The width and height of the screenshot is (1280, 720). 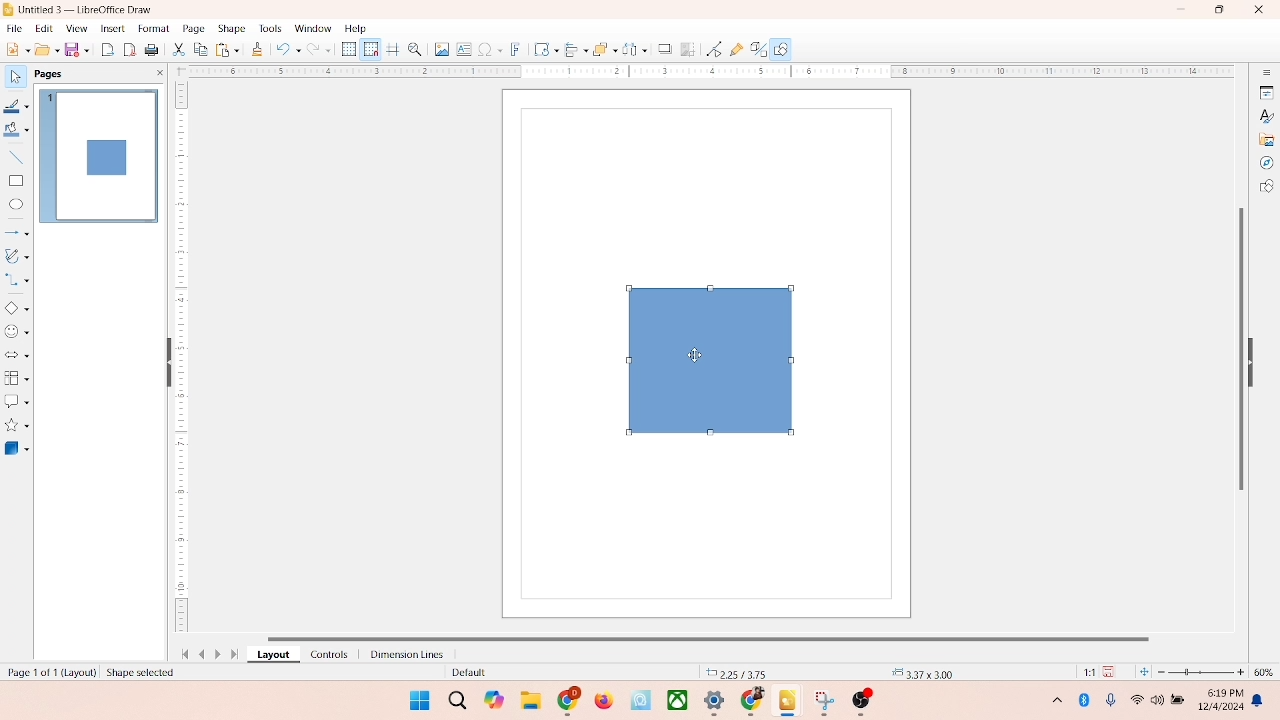 I want to click on 3D shape, so click(x=17, y=448).